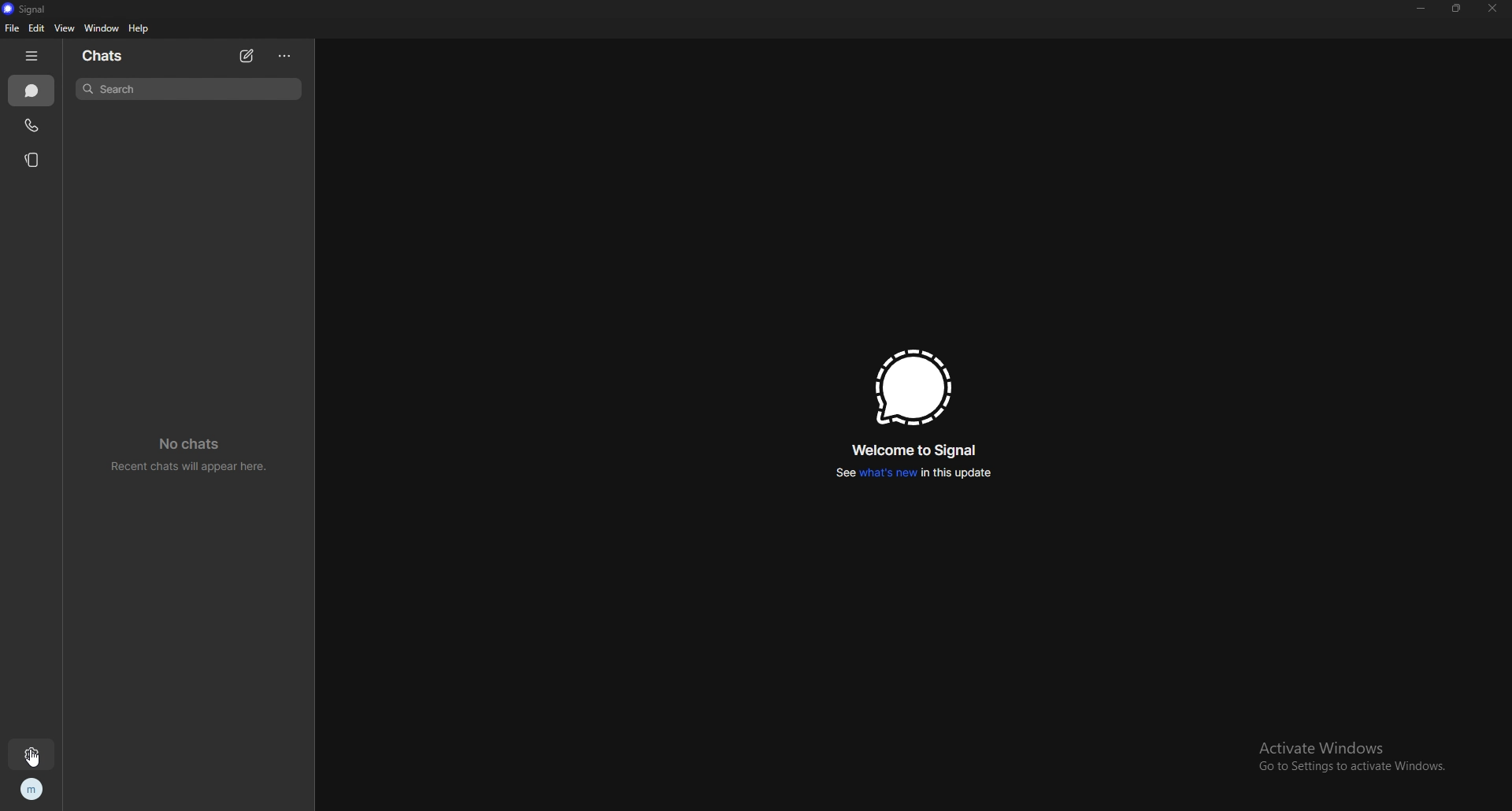  Describe the element at coordinates (31, 91) in the screenshot. I see `chats` at that location.